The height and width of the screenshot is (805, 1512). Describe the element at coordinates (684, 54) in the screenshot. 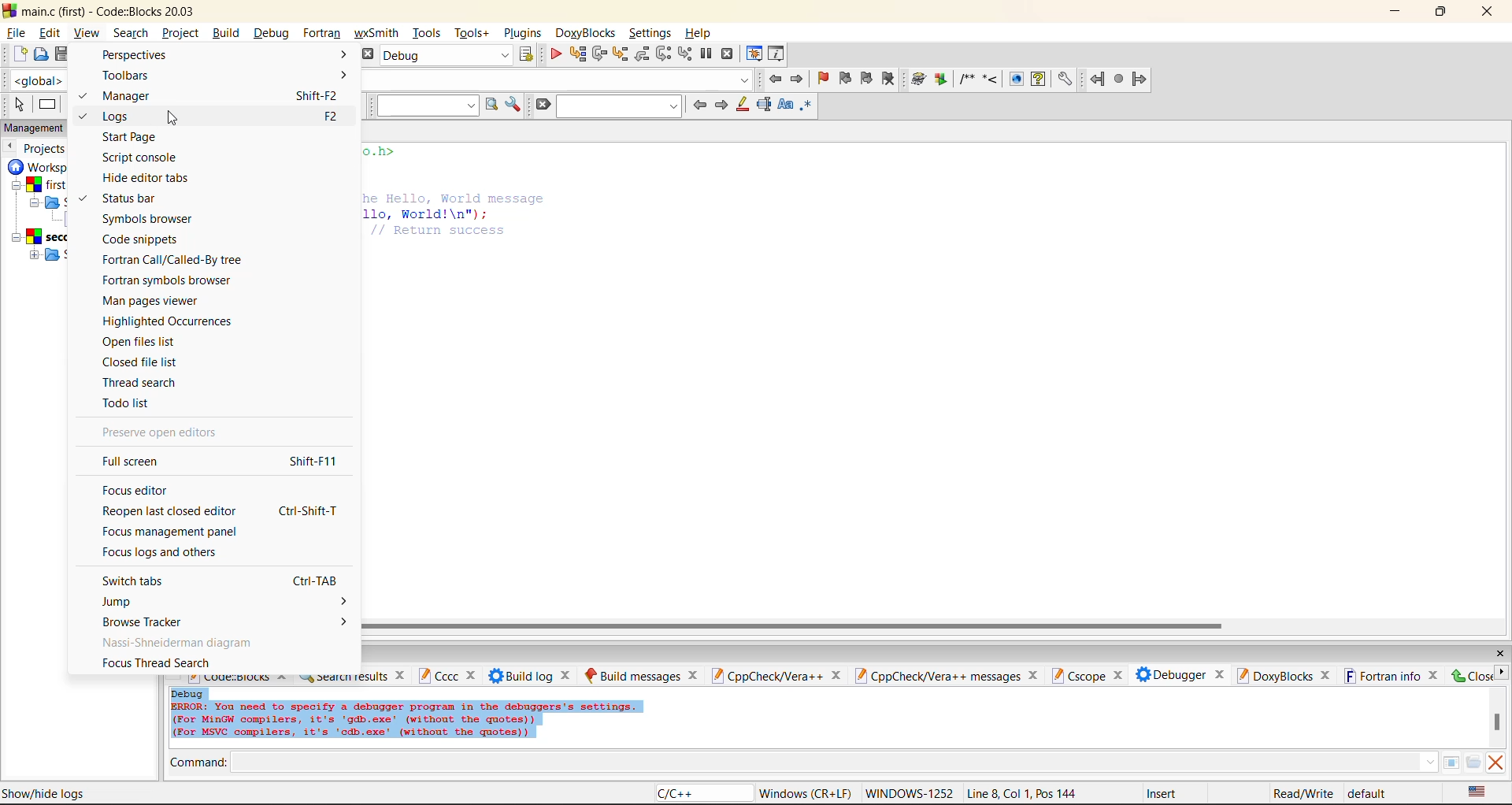

I see `step into instruction` at that location.